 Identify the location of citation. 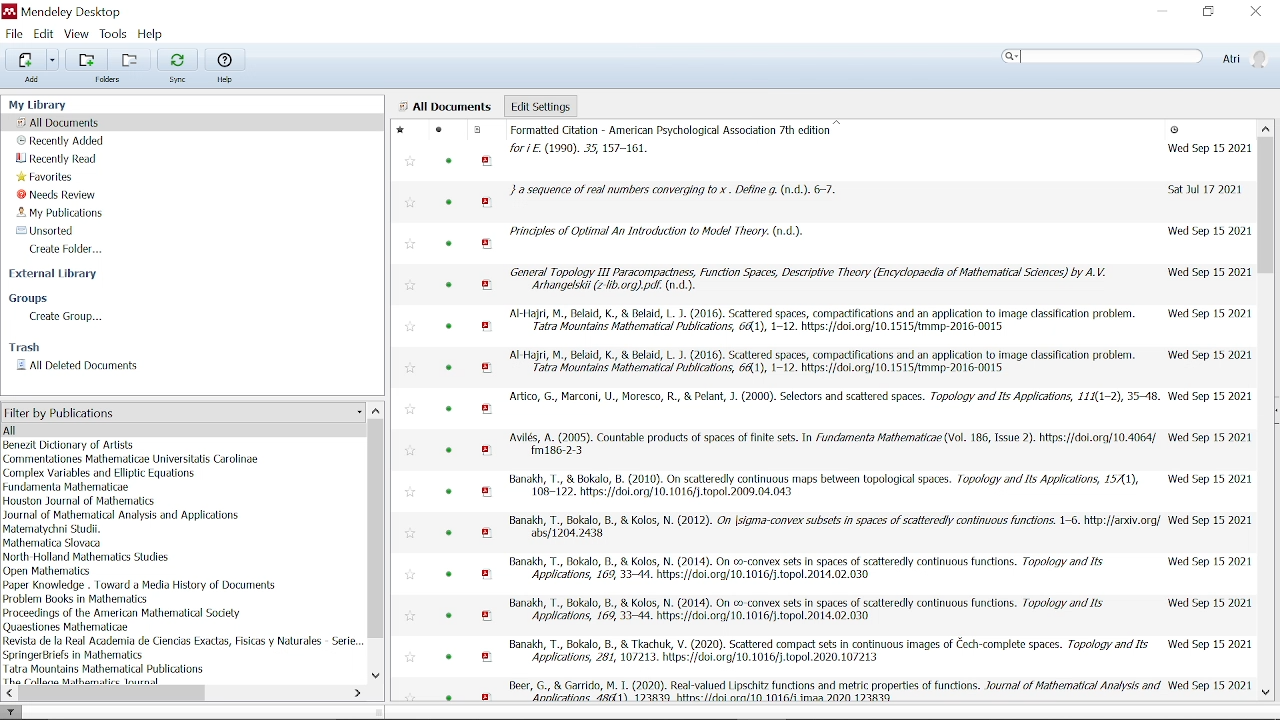
(821, 320).